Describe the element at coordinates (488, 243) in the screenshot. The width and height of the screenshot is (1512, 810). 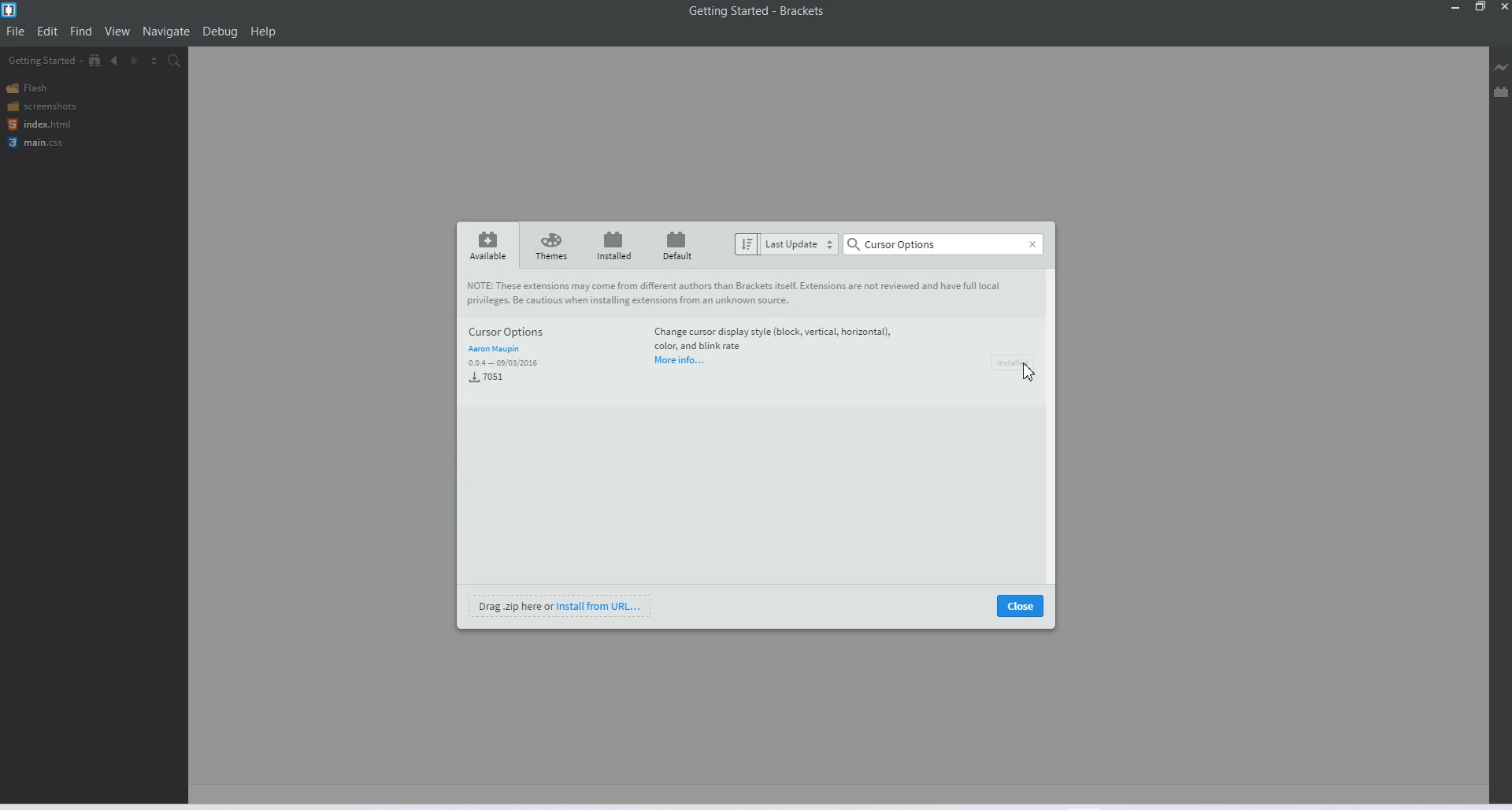
I see `available` at that location.